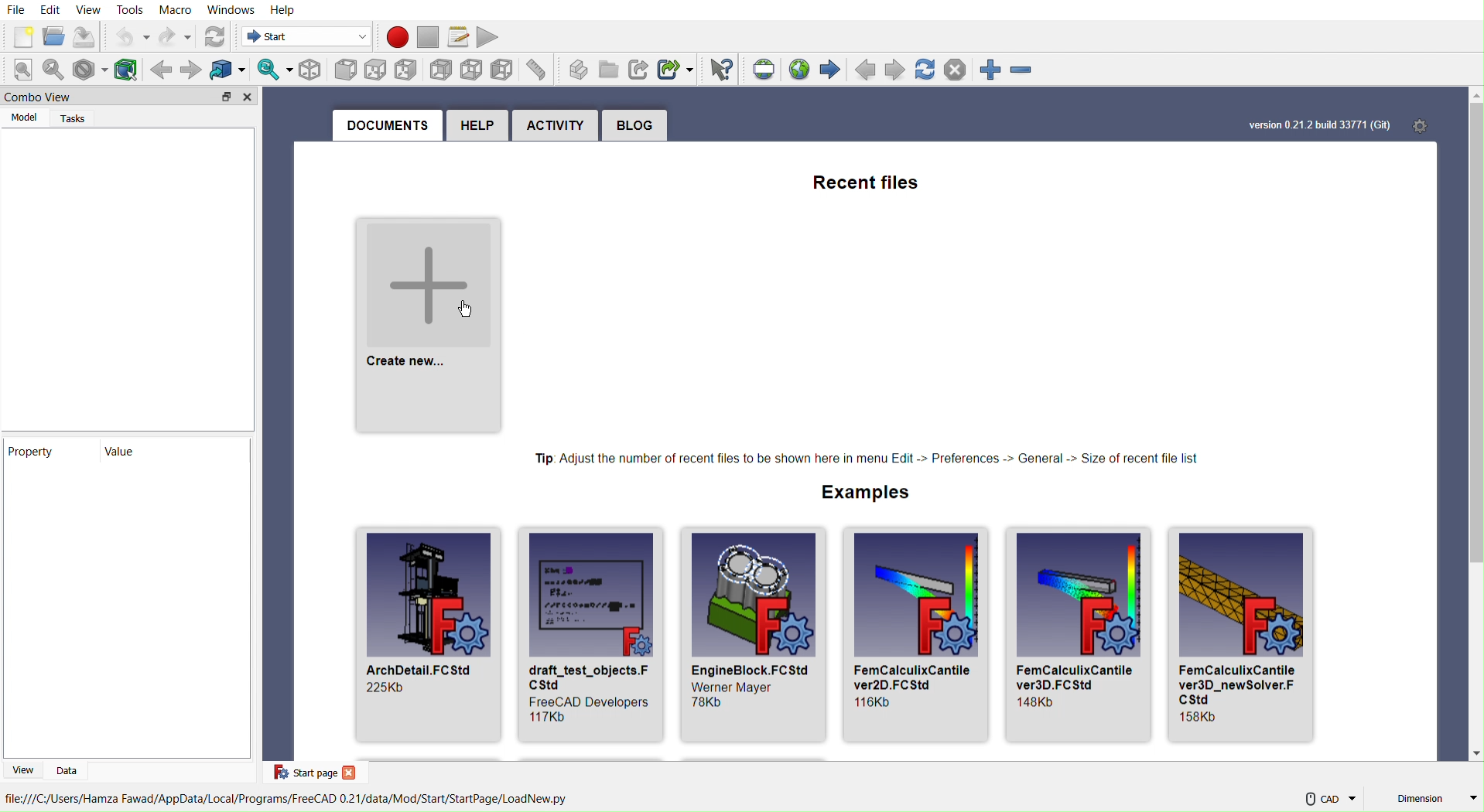  Describe the element at coordinates (176, 10) in the screenshot. I see `Macro` at that location.